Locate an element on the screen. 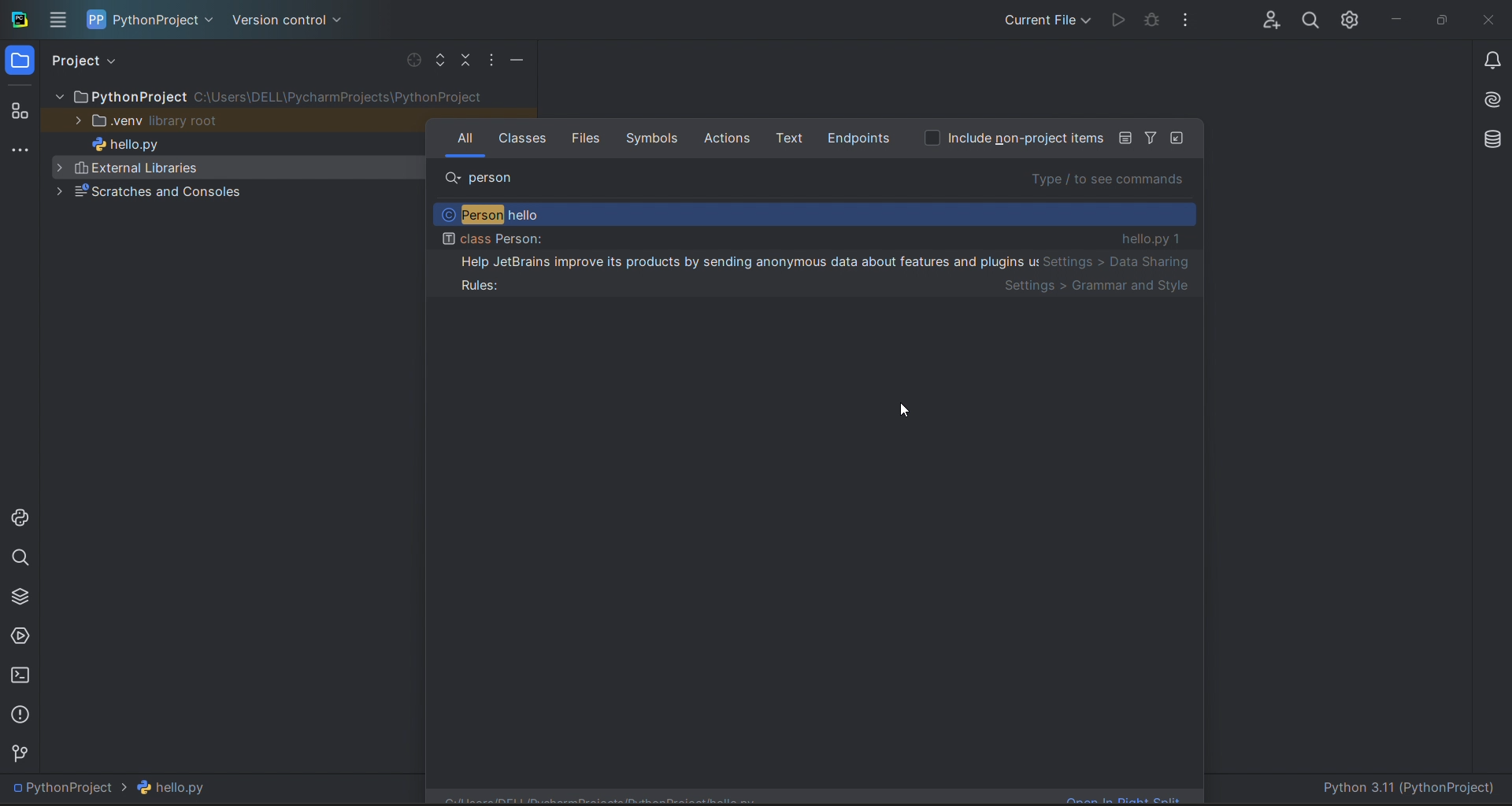 Image resolution: width=1512 pixels, height=806 pixels. structur is located at coordinates (20, 110).